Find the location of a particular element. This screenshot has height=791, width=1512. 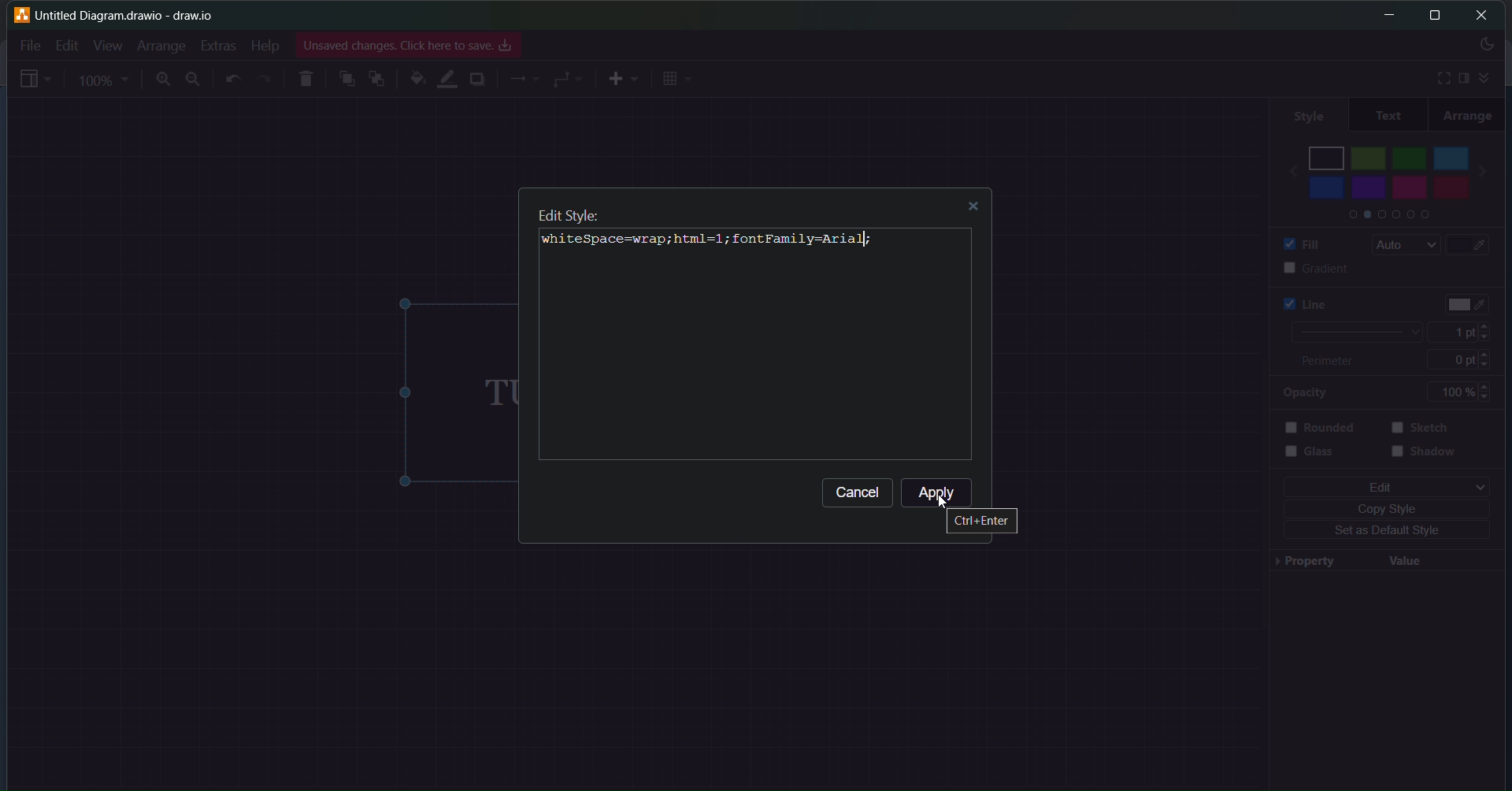

next is located at coordinates (1492, 166).